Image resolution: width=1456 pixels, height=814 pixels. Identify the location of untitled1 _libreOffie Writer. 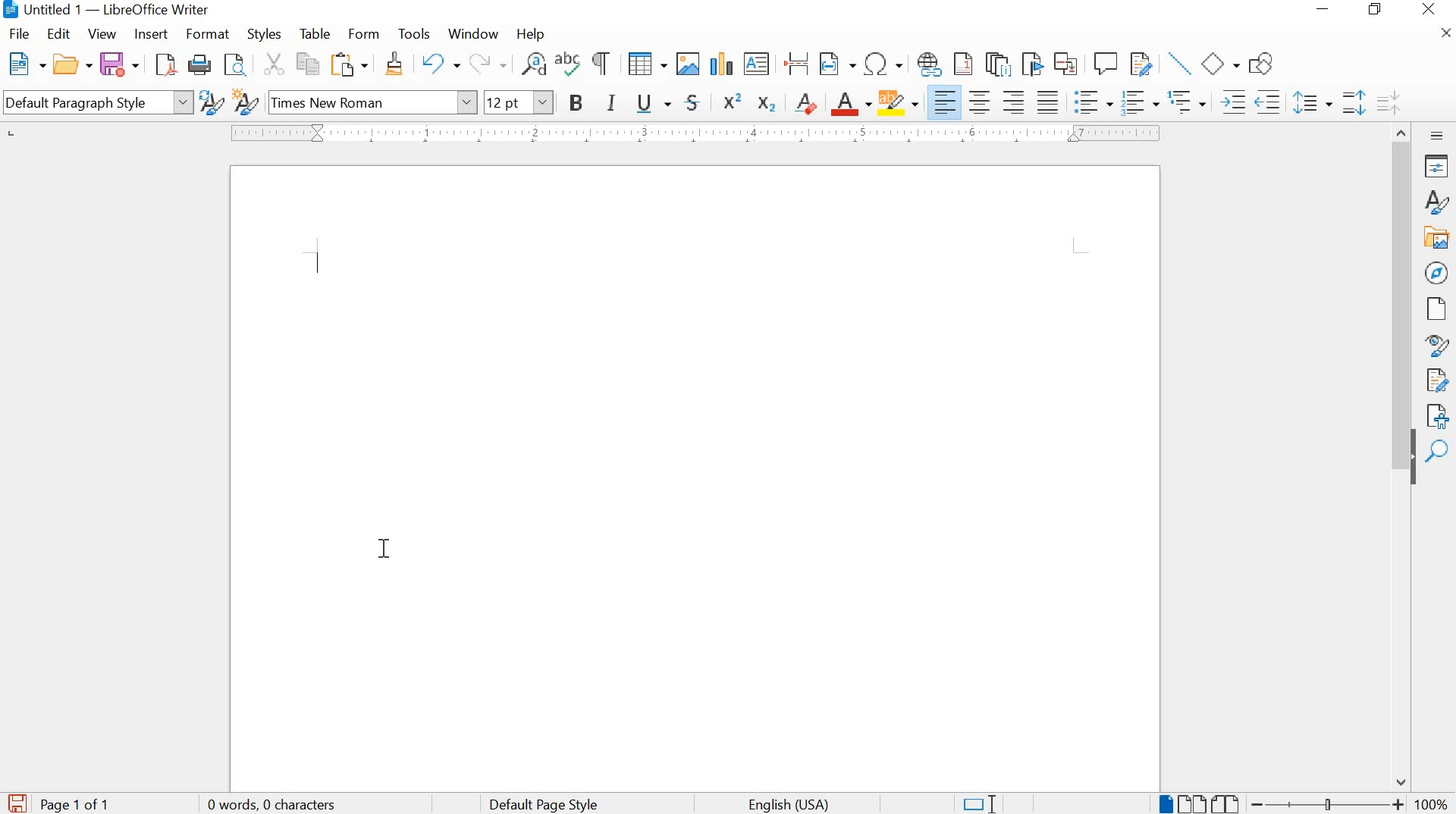
(127, 12).